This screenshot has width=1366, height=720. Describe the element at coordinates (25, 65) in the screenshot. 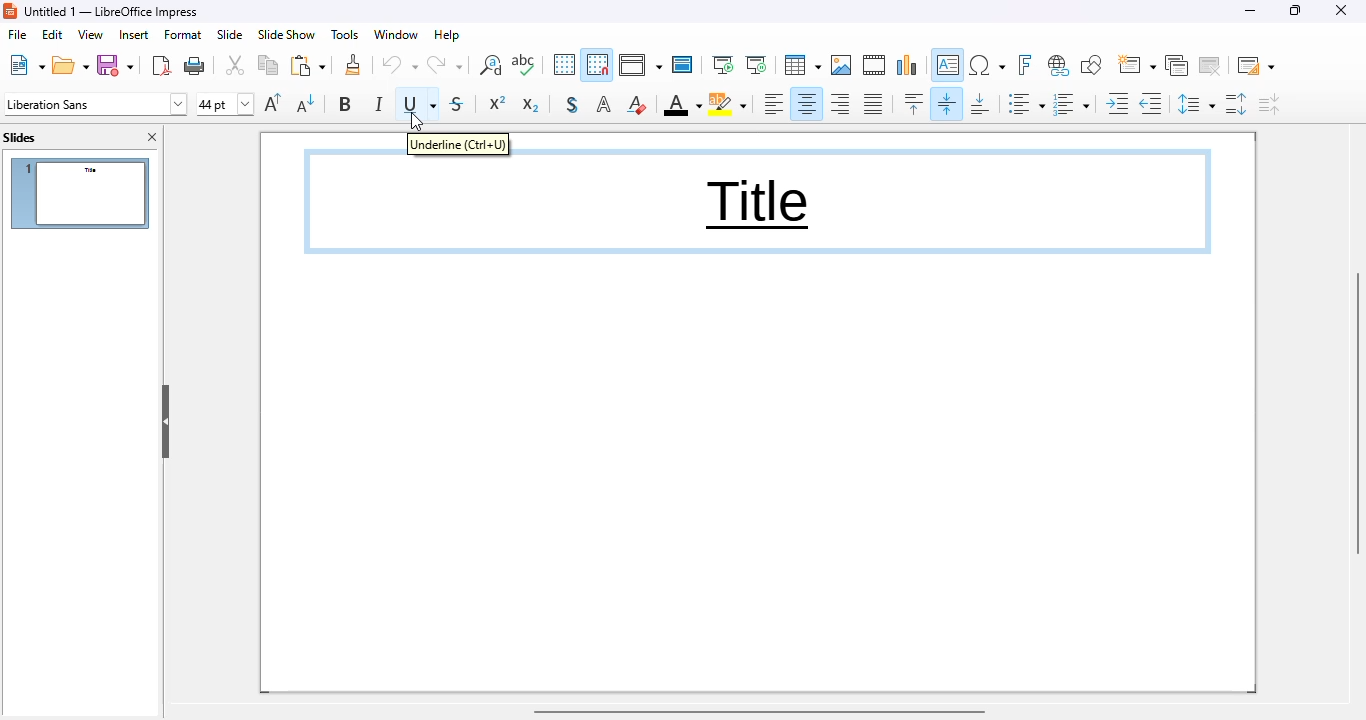

I see `new` at that location.